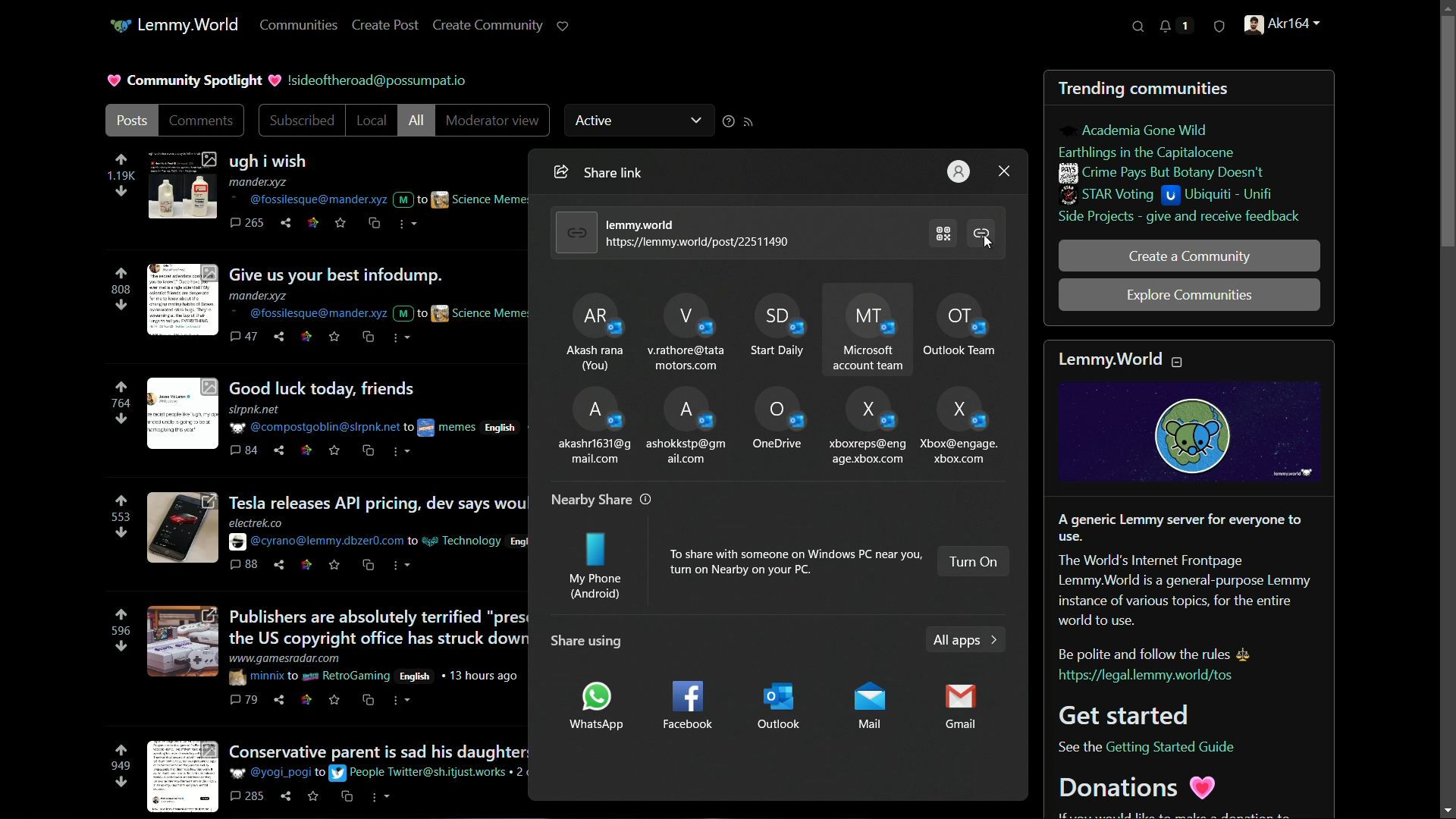  I want to click on nearby share, so click(591, 500).